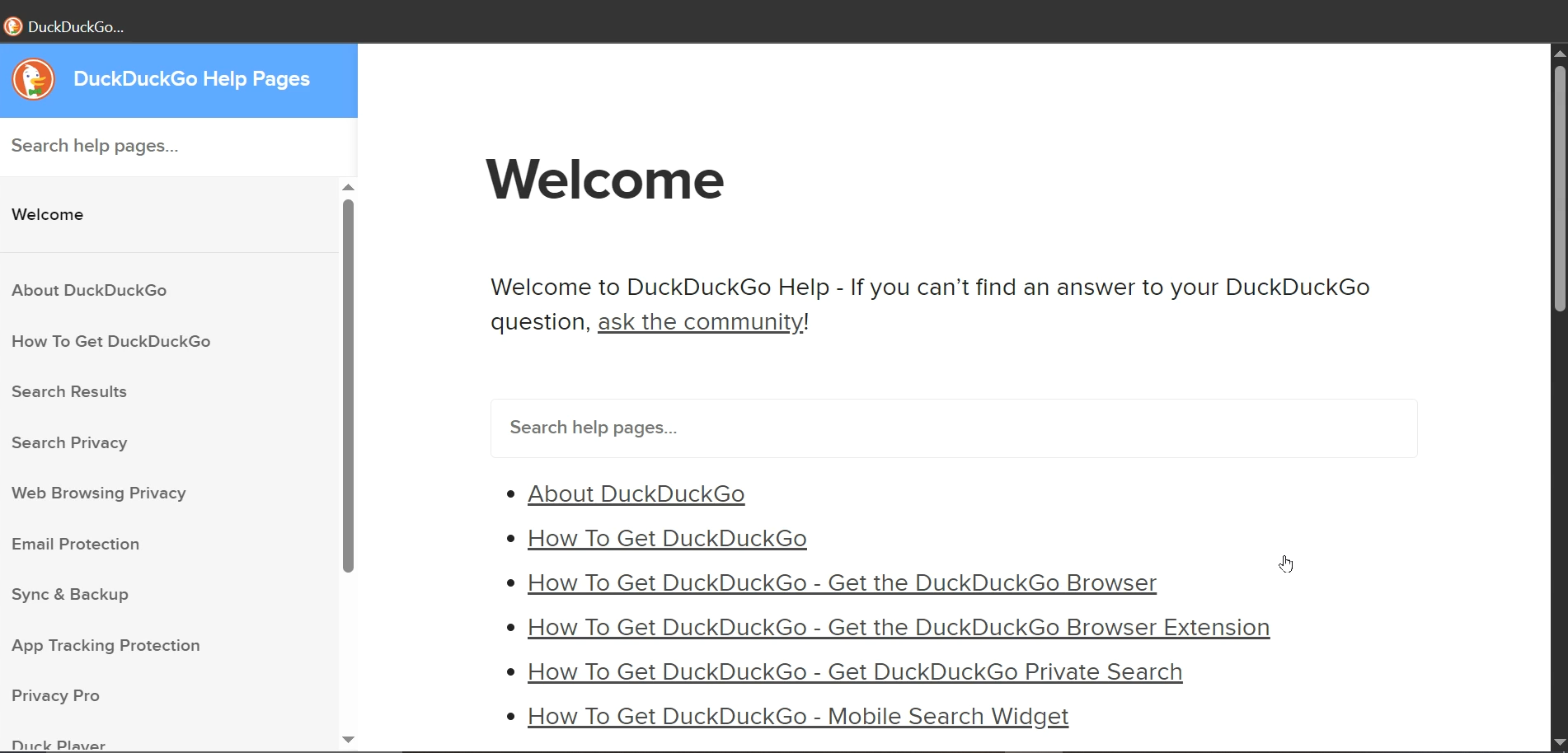 This screenshot has width=1568, height=753. Describe the element at coordinates (106, 648) in the screenshot. I see `App Tracking Protection` at that location.